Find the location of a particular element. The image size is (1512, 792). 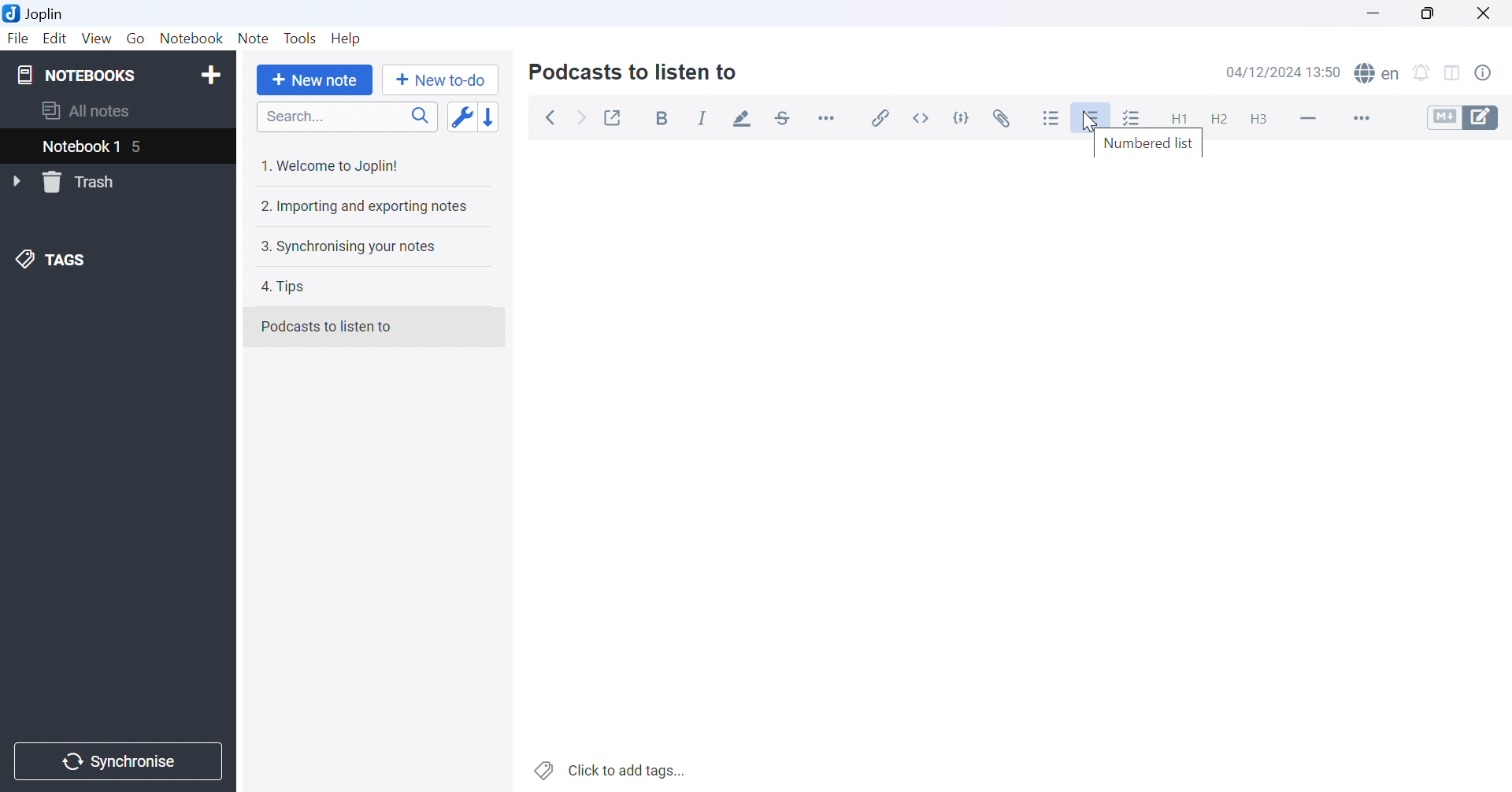

Edit is located at coordinates (56, 39).